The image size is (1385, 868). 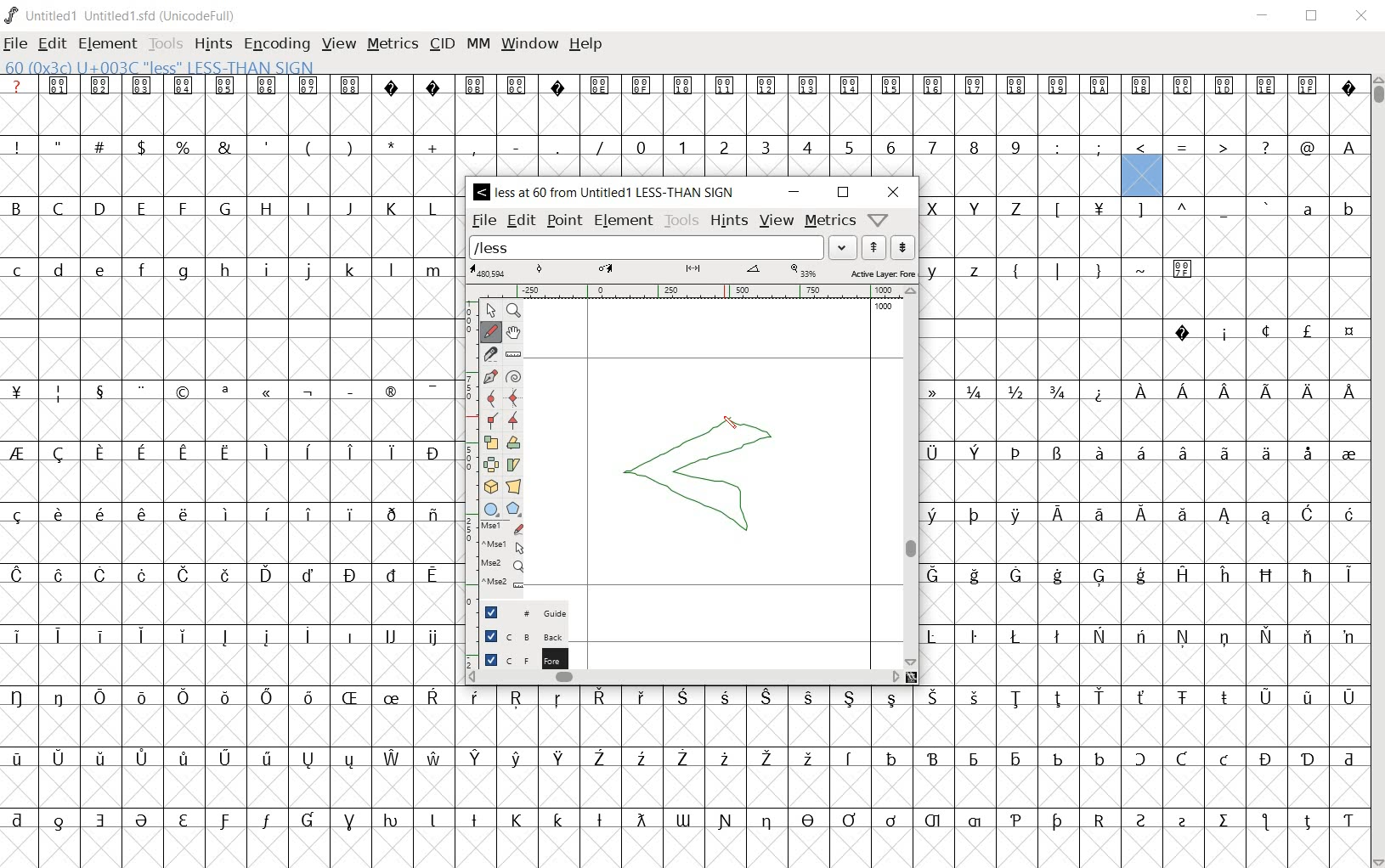 I want to click on mm, so click(x=477, y=45).